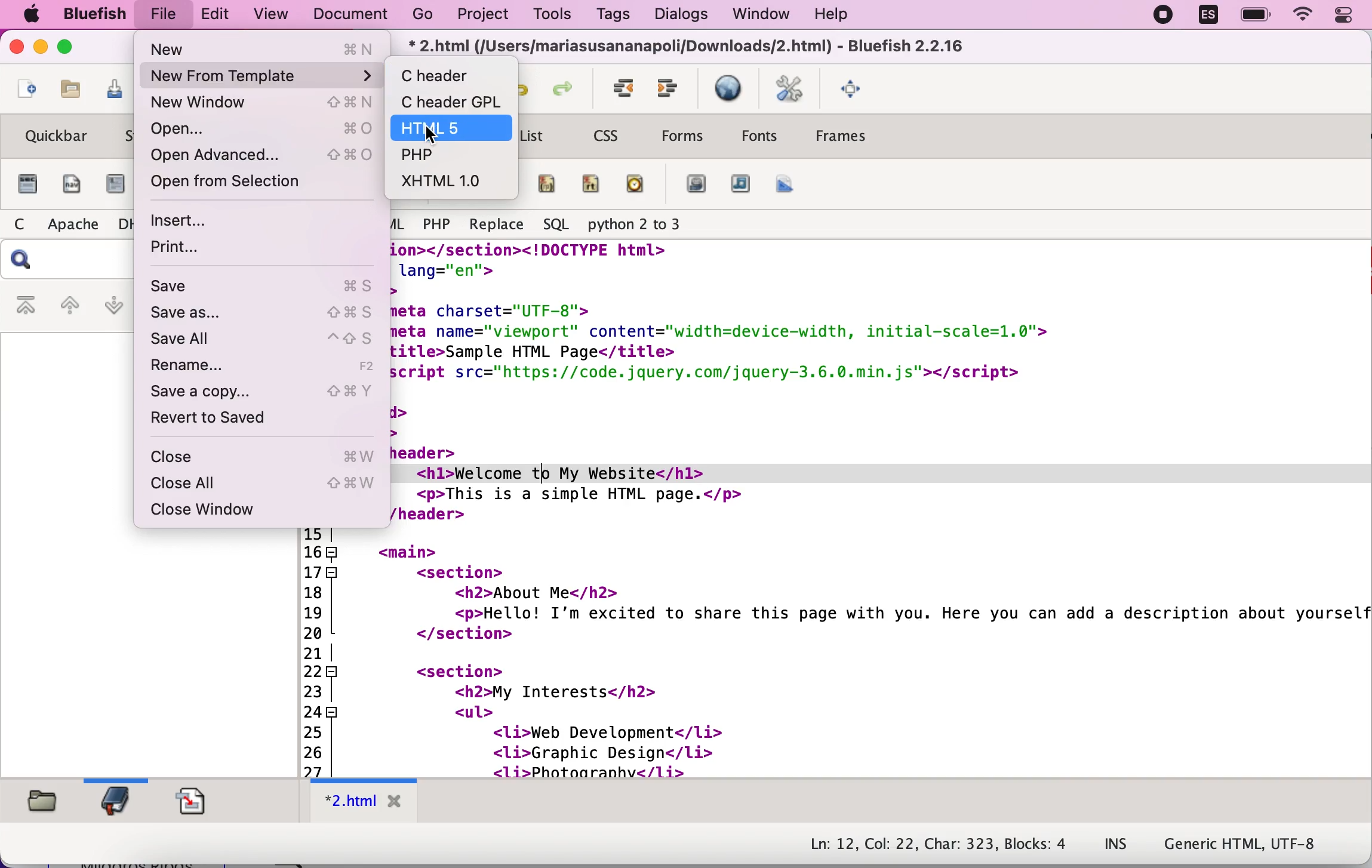  Describe the element at coordinates (741, 186) in the screenshot. I see `audio` at that location.